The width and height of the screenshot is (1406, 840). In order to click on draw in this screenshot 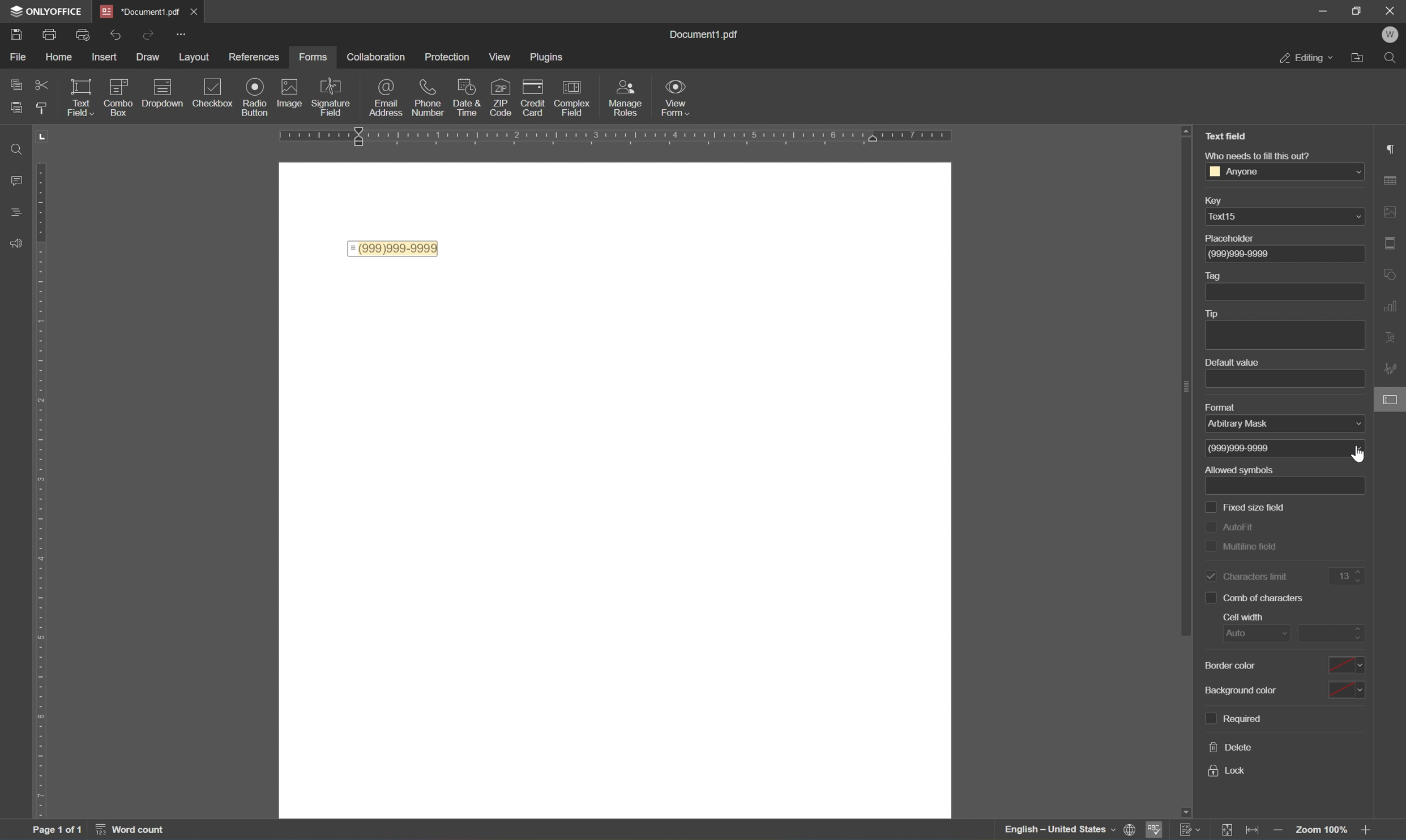, I will do `click(144, 57)`.